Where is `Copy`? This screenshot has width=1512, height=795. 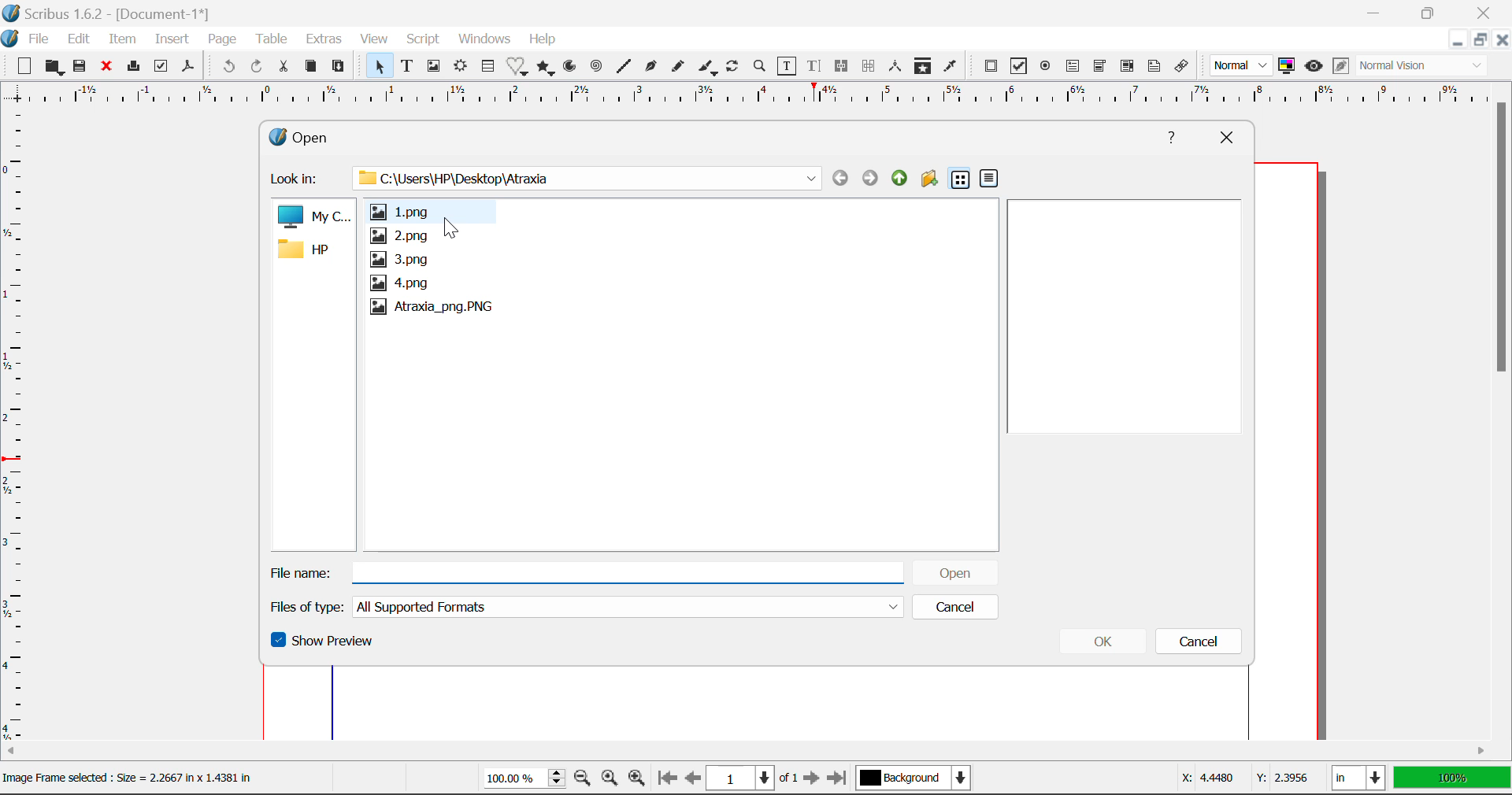 Copy is located at coordinates (310, 67).